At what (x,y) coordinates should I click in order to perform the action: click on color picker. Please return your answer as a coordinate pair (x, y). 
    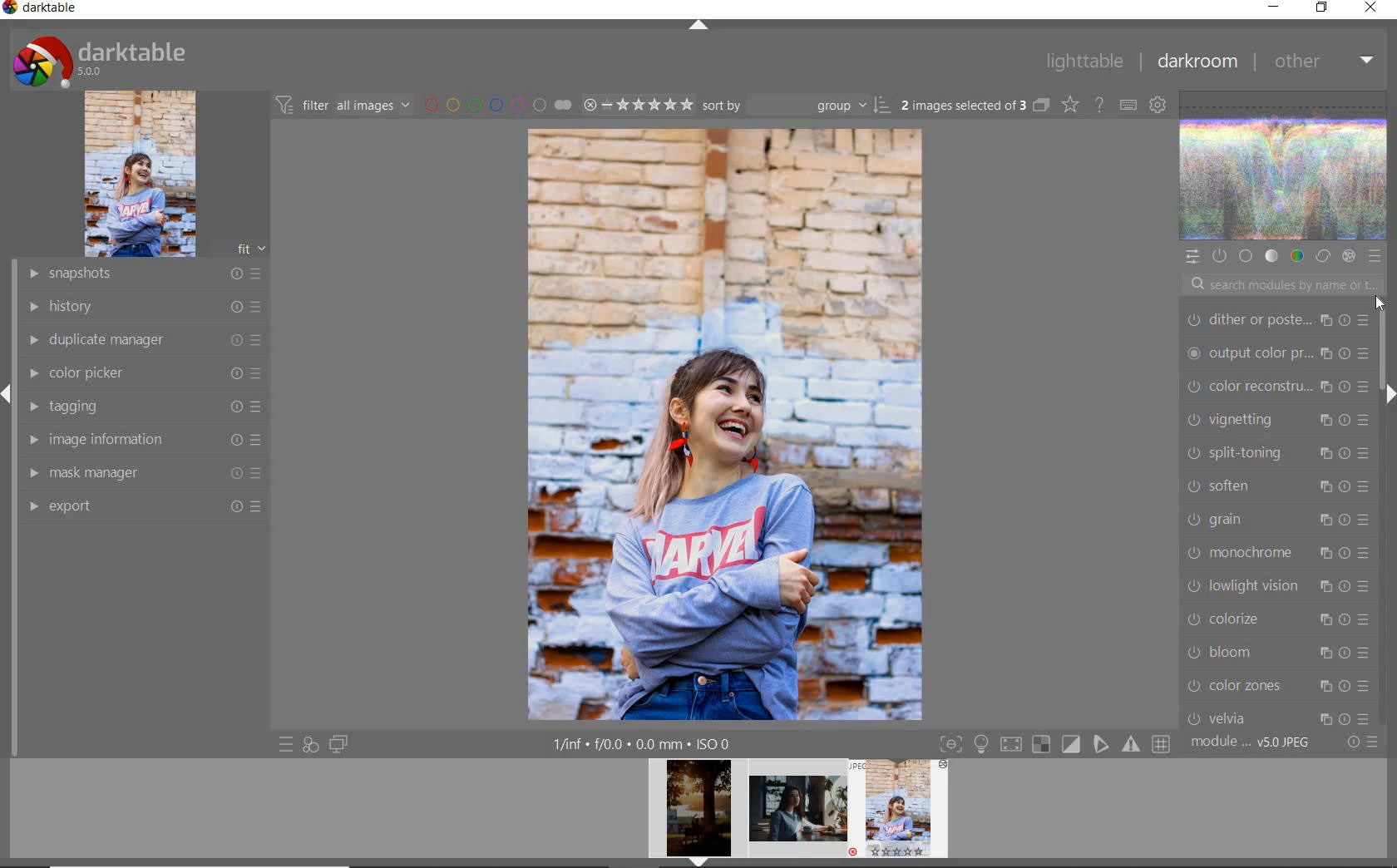
    Looking at the image, I should click on (143, 373).